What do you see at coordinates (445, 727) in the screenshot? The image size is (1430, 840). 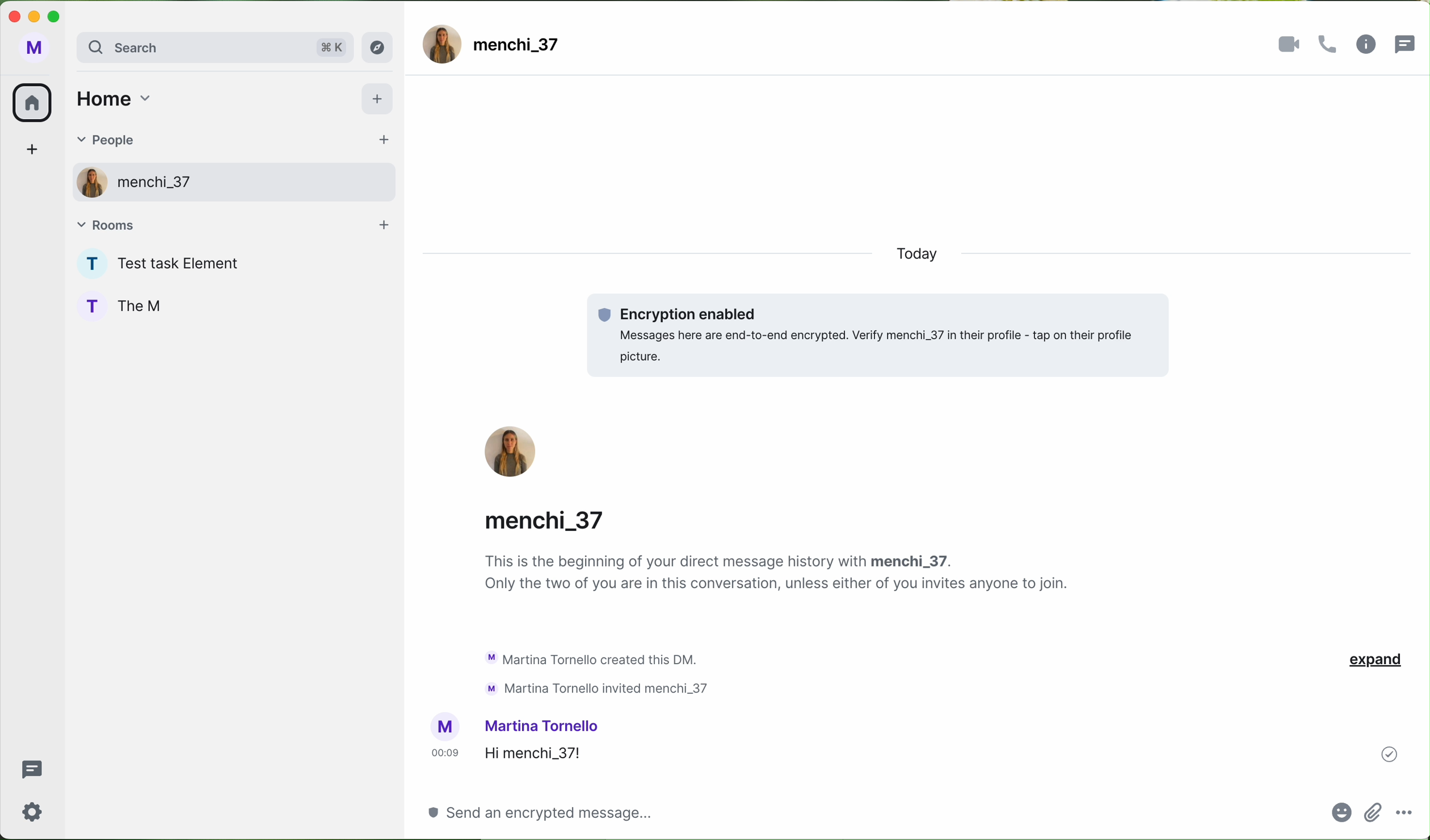 I see `profile picture` at bounding box center [445, 727].